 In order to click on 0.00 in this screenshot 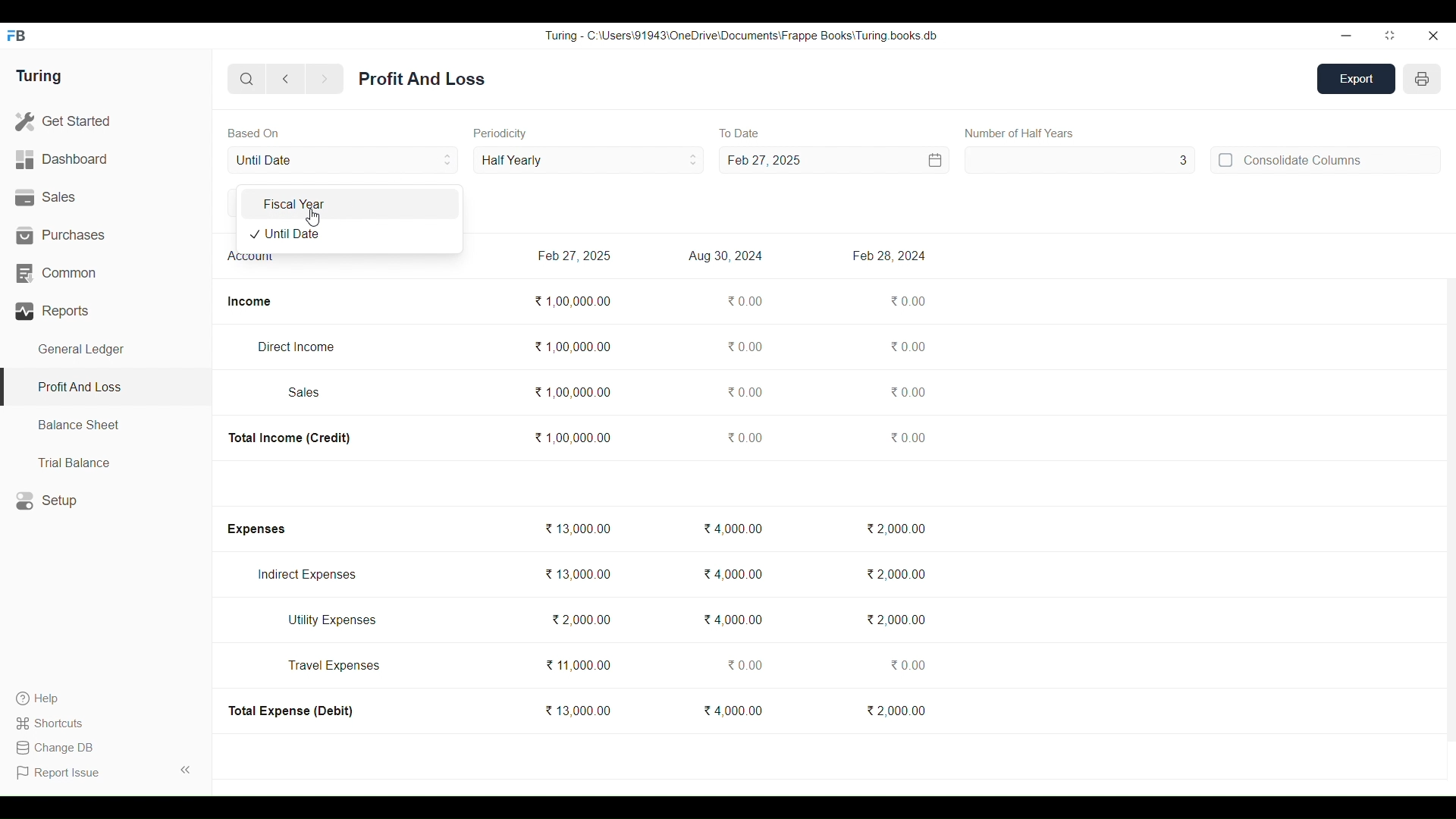, I will do `click(743, 391)`.